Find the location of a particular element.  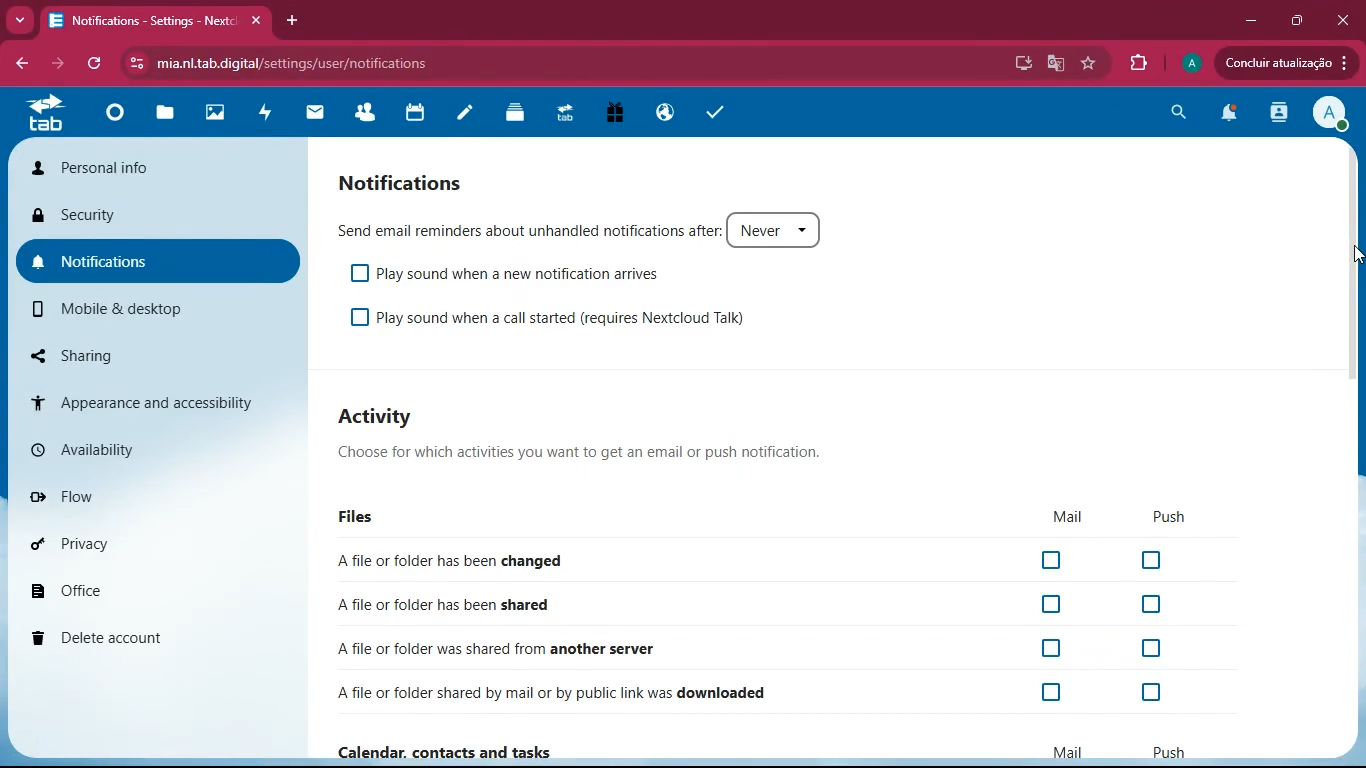

notifications is located at coordinates (152, 256).